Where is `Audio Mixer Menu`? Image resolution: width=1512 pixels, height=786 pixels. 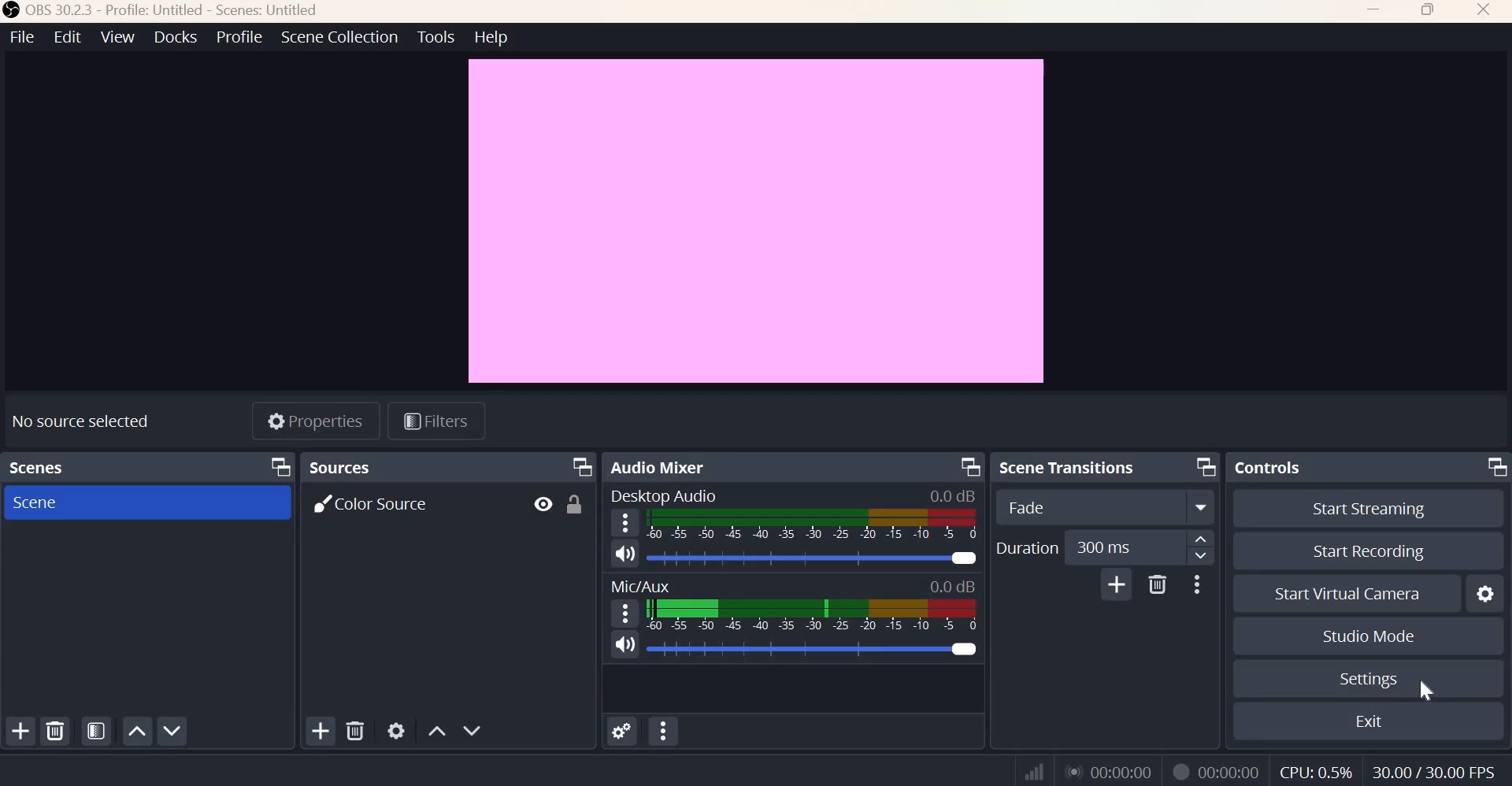
Audio Mixer Menu is located at coordinates (663, 732).